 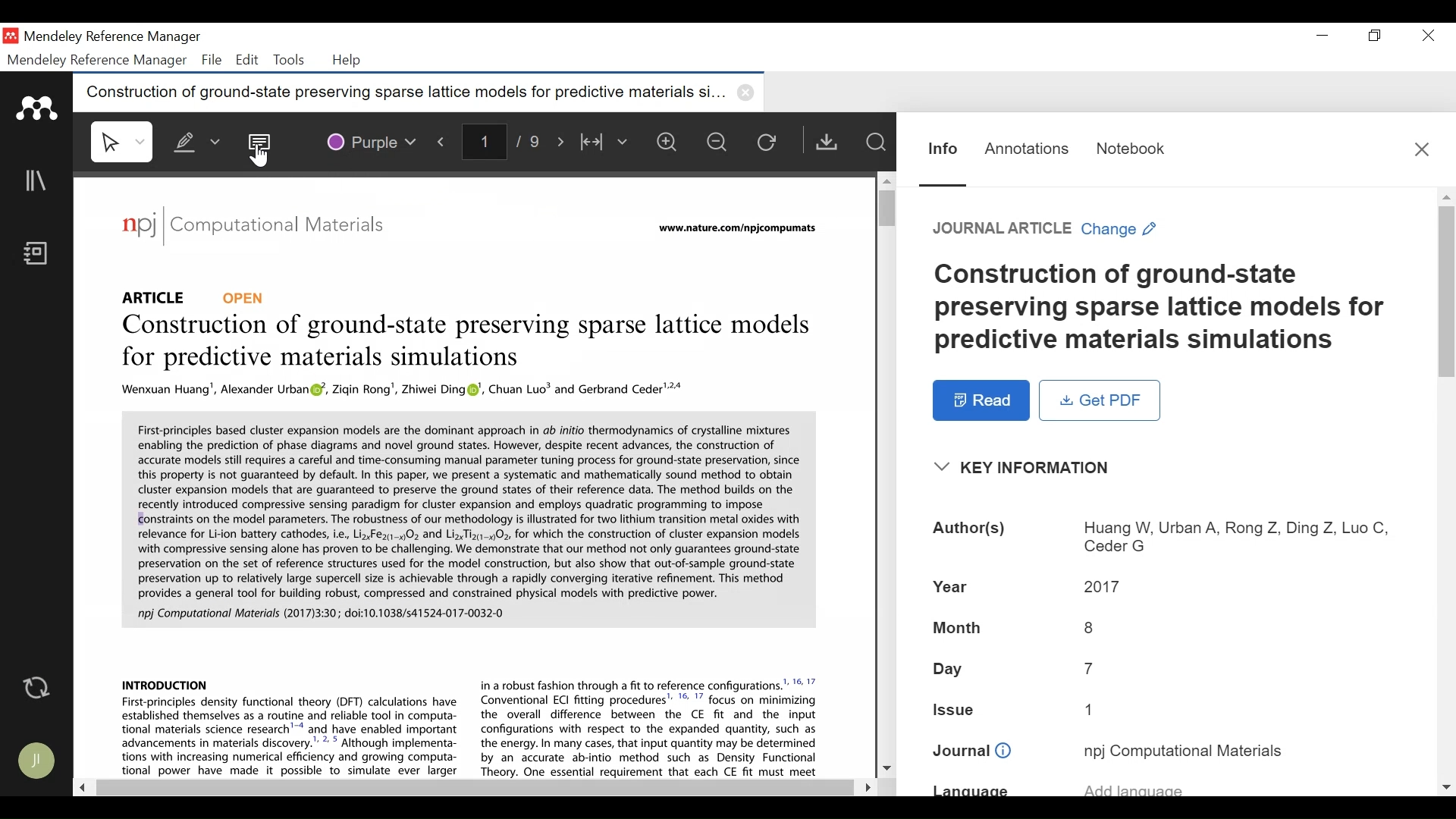 What do you see at coordinates (472, 788) in the screenshot?
I see `Horizontal Scroll bar` at bounding box center [472, 788].